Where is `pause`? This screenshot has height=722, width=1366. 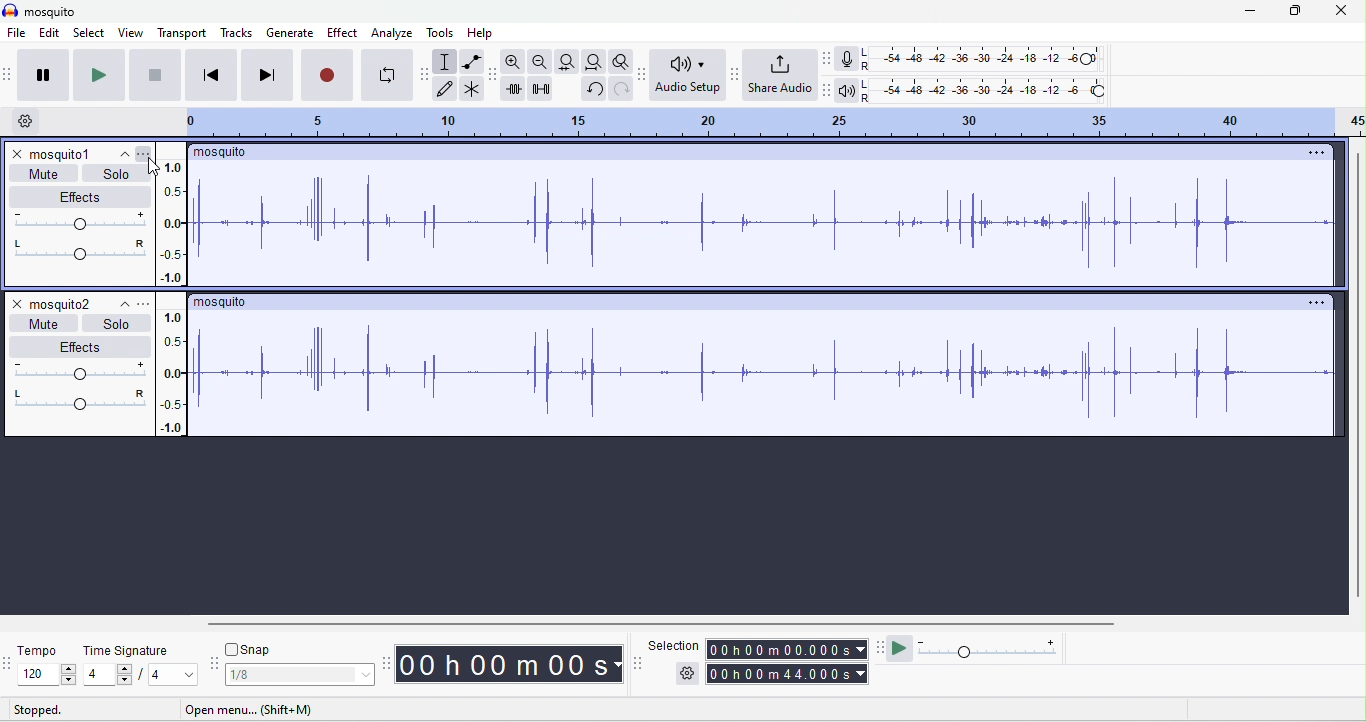 pause is located at coordinates (44, 77).